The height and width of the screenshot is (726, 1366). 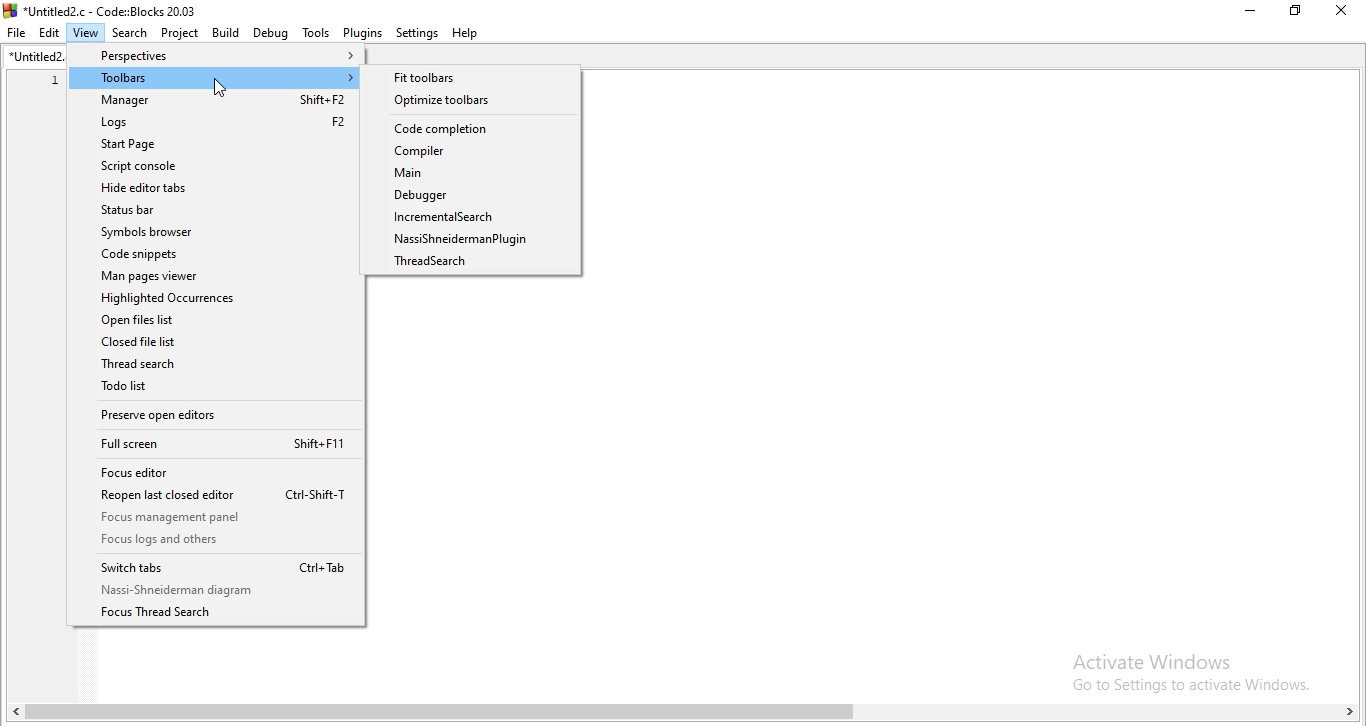 I want to click on scroll bar, so click(x=683, y=715).